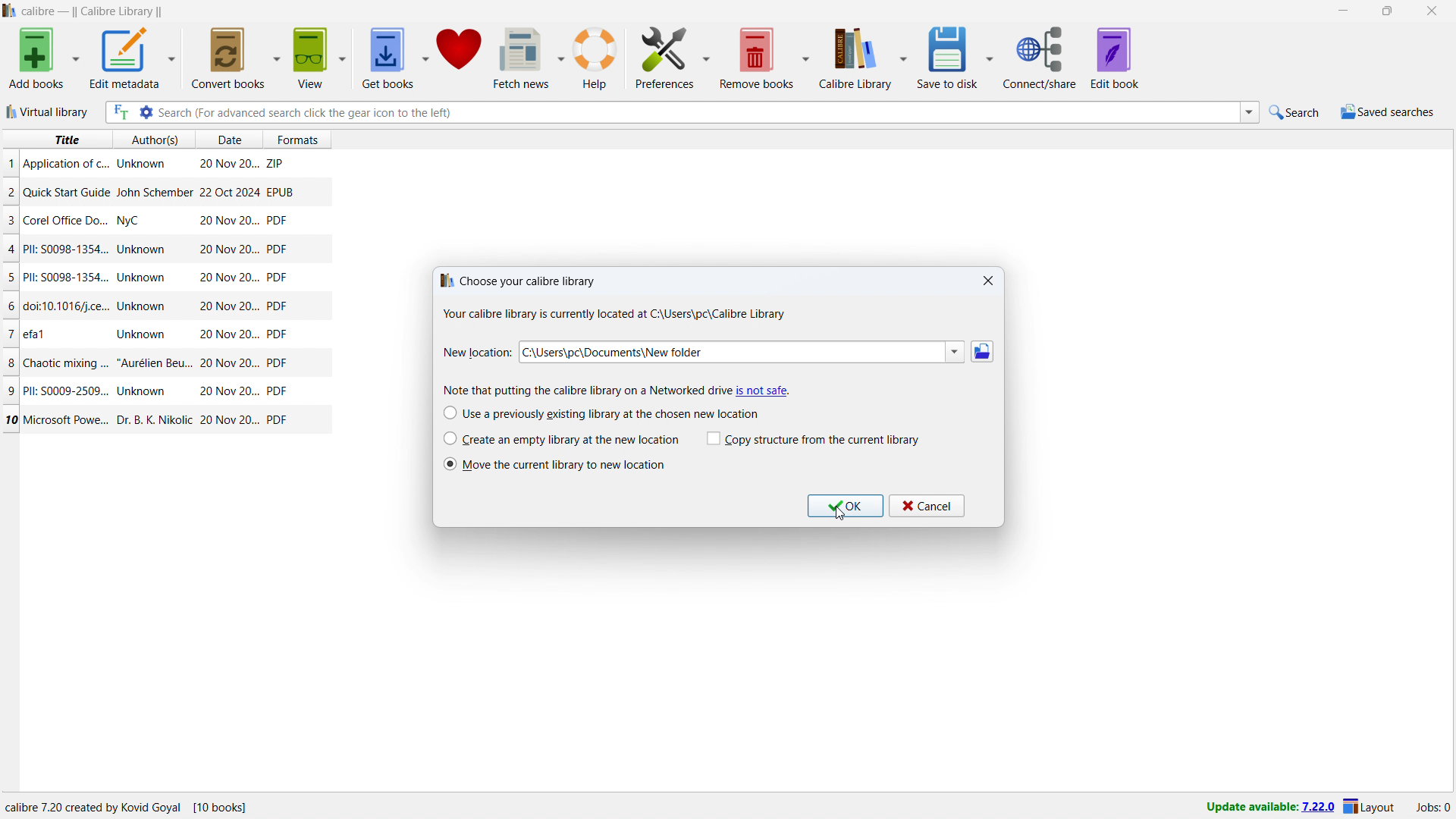 This screenshot has width=1456, height=819. What do you see at coordinates (304, 137) in the screenshot?
I see `formats` at bounding box center [304, 137].